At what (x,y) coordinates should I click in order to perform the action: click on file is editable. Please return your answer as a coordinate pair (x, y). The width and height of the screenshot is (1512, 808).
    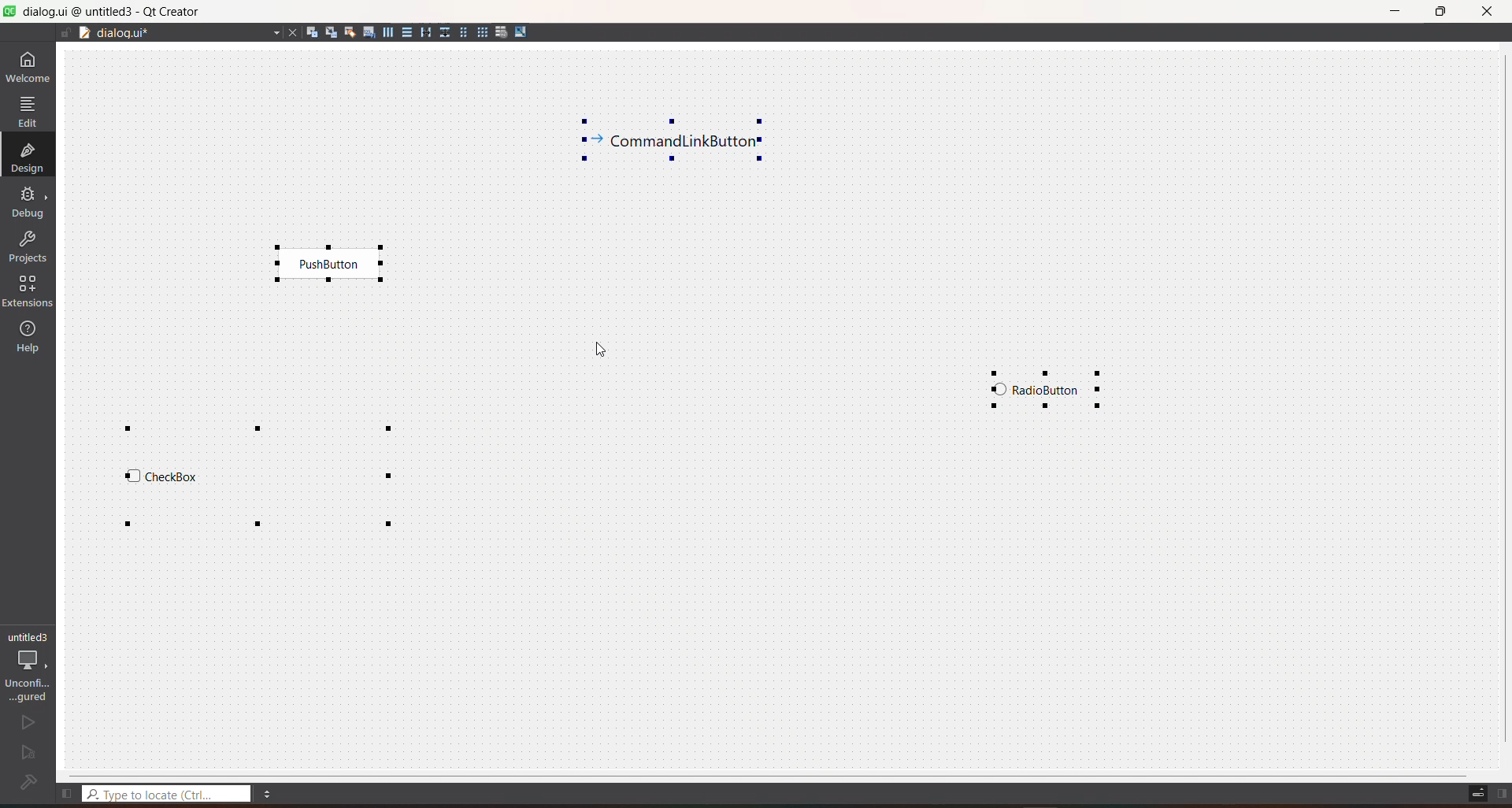
    Looking at the image, I should click on (63, 33).